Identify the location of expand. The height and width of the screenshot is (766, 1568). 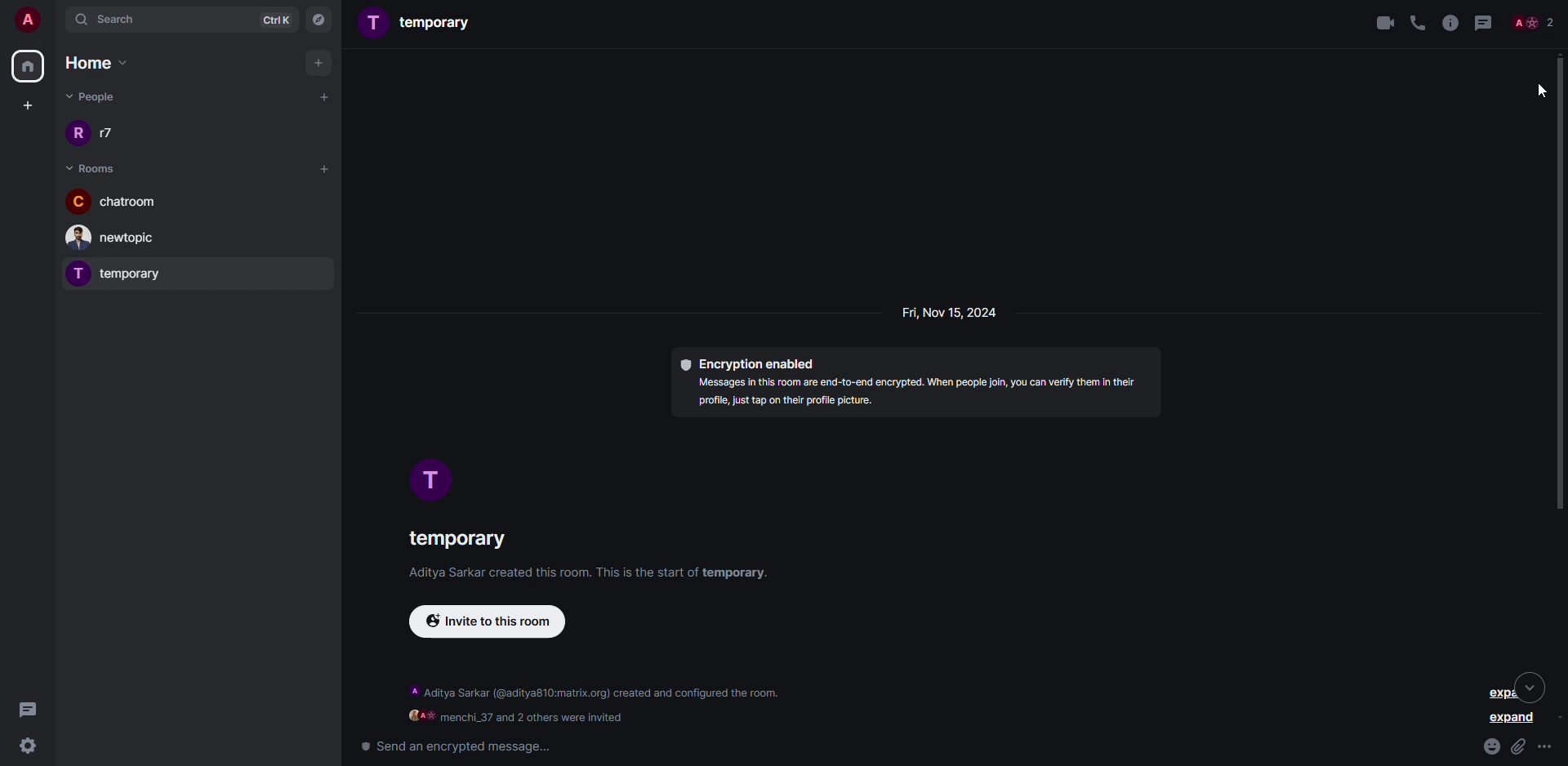
(1507, 688).